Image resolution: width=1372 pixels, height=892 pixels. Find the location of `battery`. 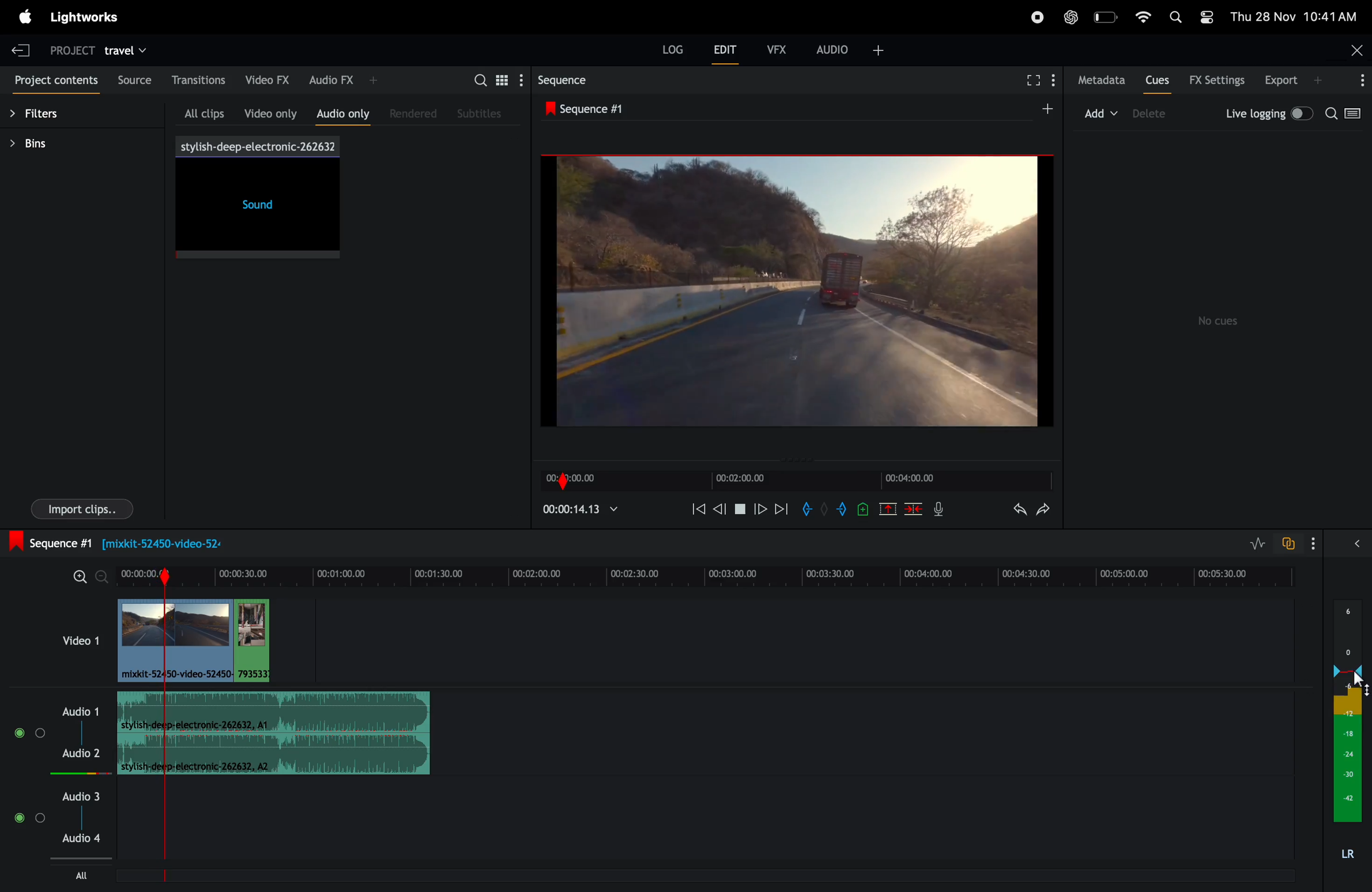

battery is located at coordinates (1106, 16).